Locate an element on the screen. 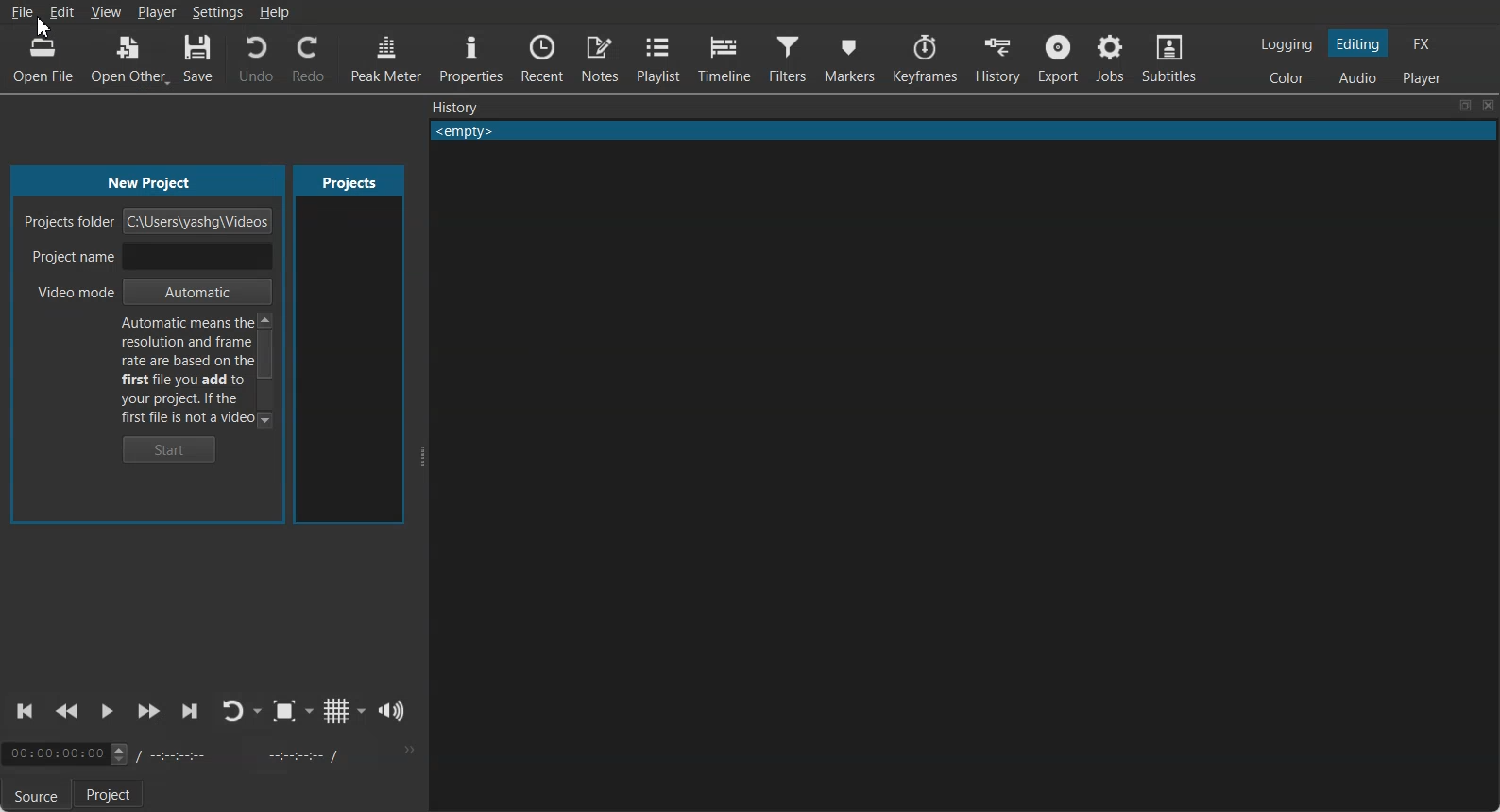 The width and height of the screenshot is (1500, 812). Drop down box is located at coordinates (310, 711).